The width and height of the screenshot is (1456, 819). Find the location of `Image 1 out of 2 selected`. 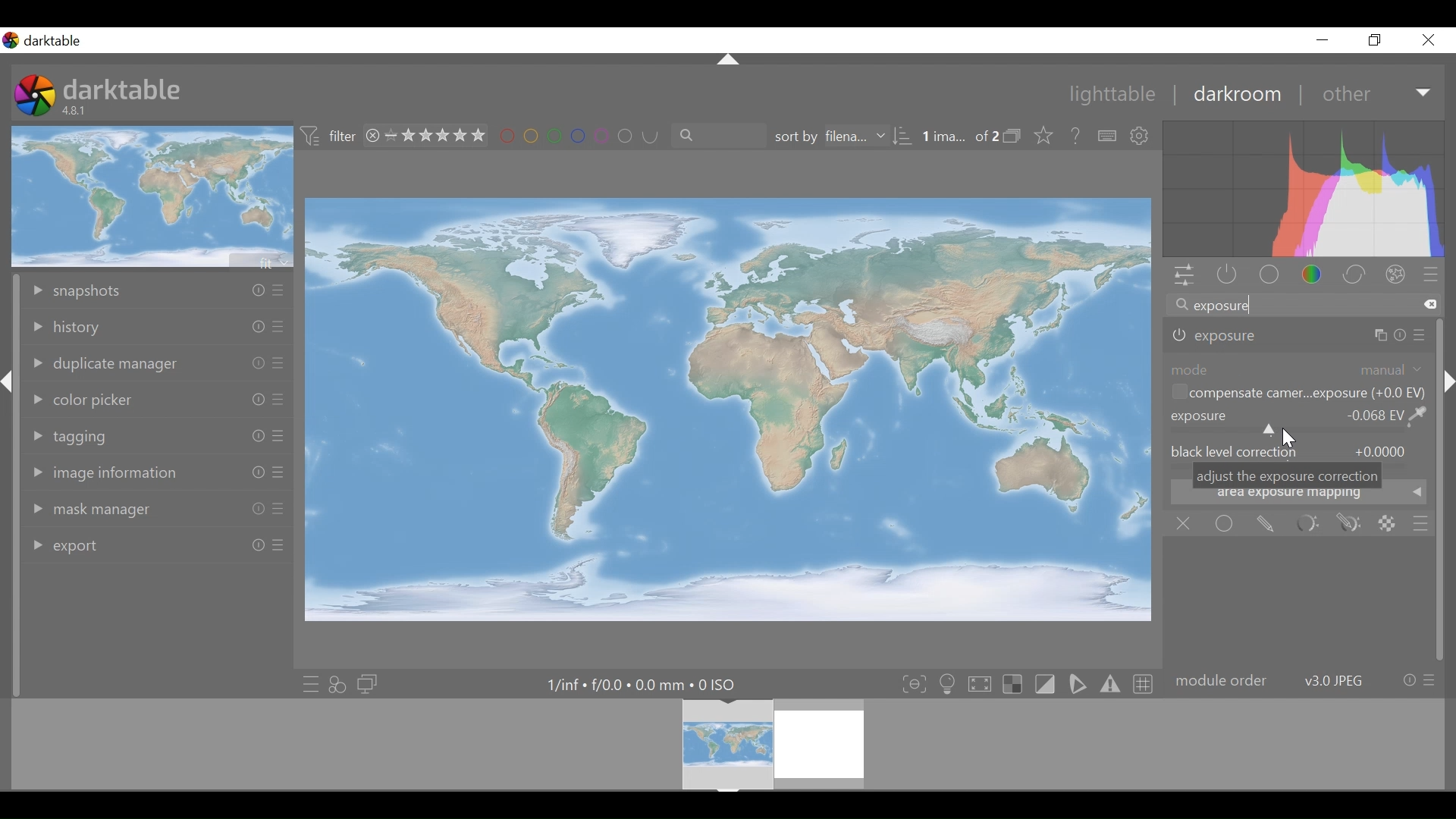

Image 1 out of 2 selected is located at coordinates (959, 135).